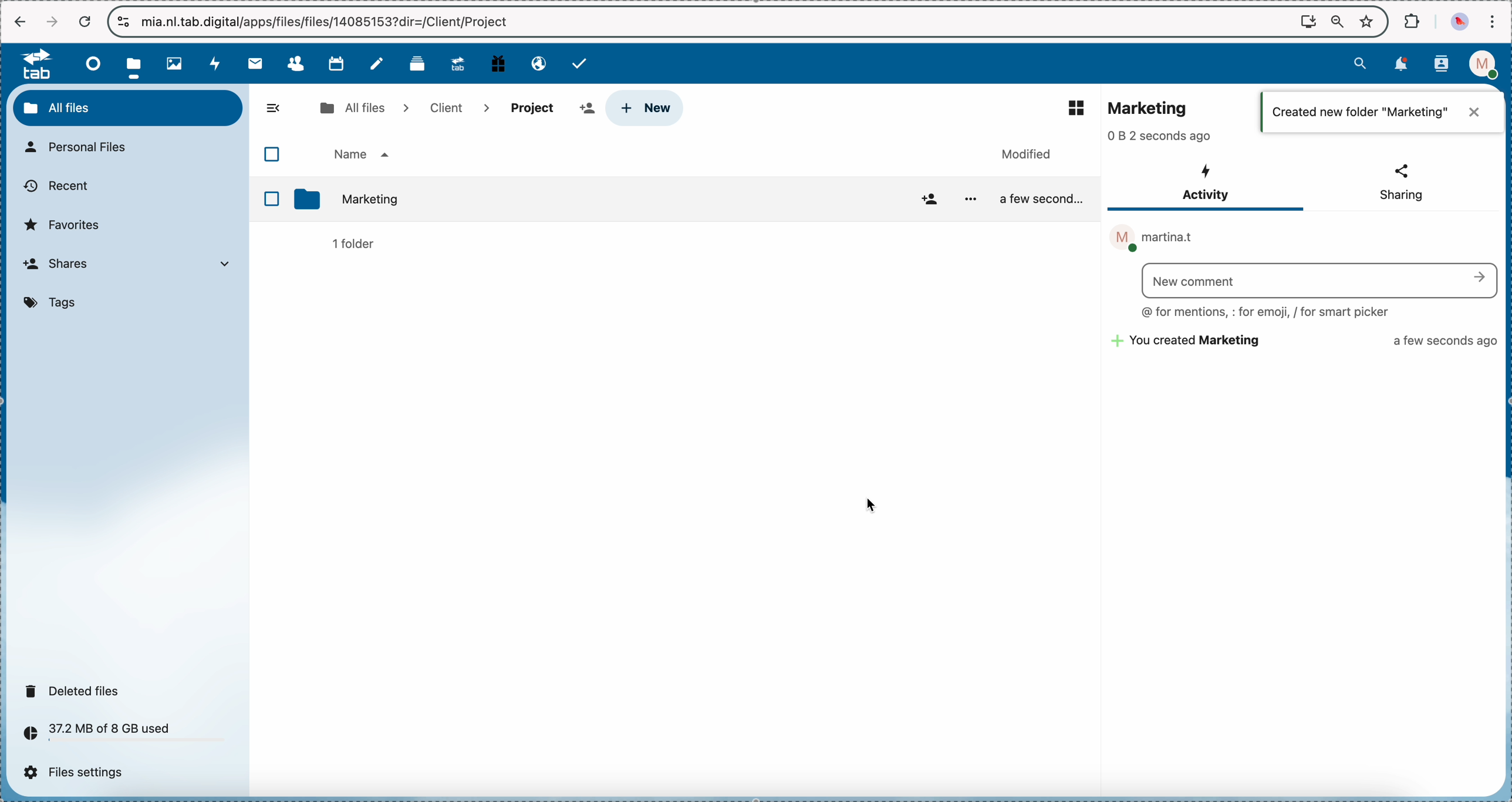  I want to click on tasks, so click(581, 63).